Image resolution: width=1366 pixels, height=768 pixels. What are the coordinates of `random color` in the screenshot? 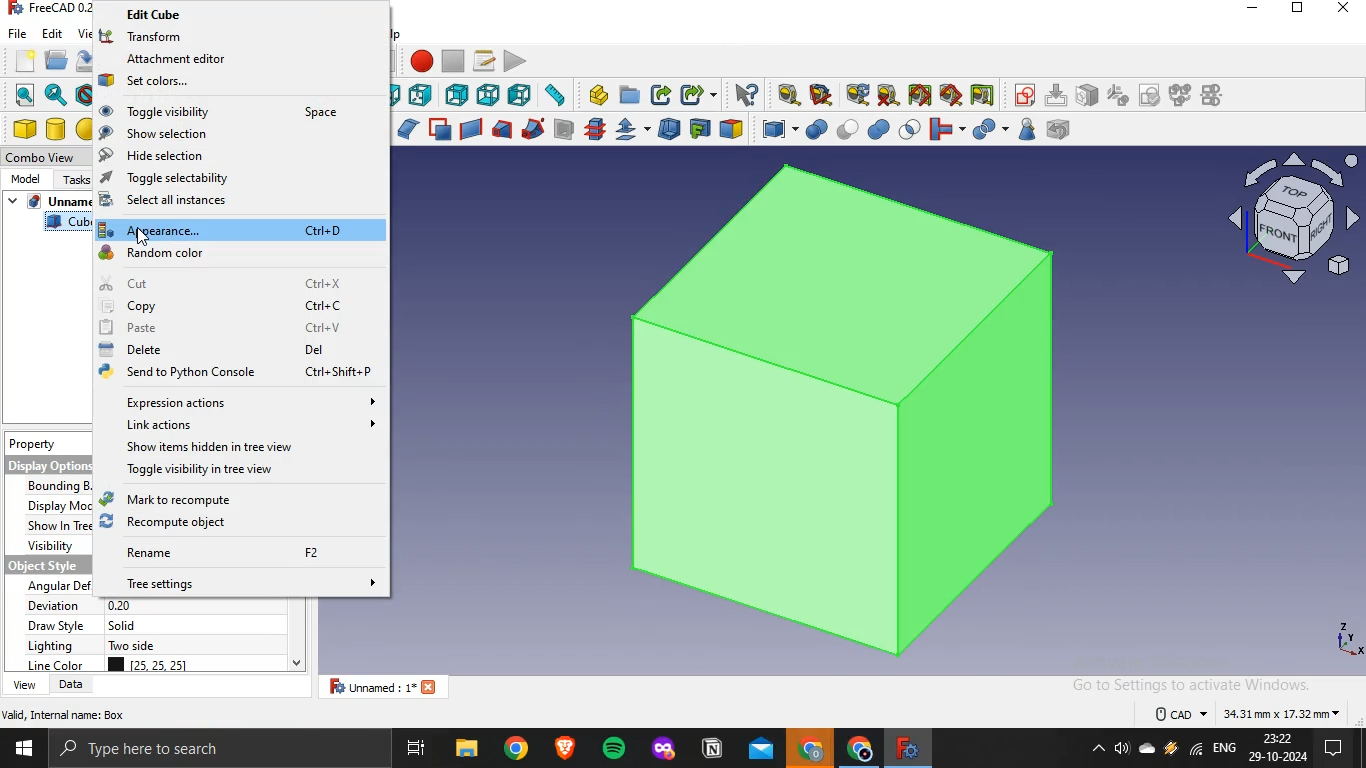 It's located at (231, 253).